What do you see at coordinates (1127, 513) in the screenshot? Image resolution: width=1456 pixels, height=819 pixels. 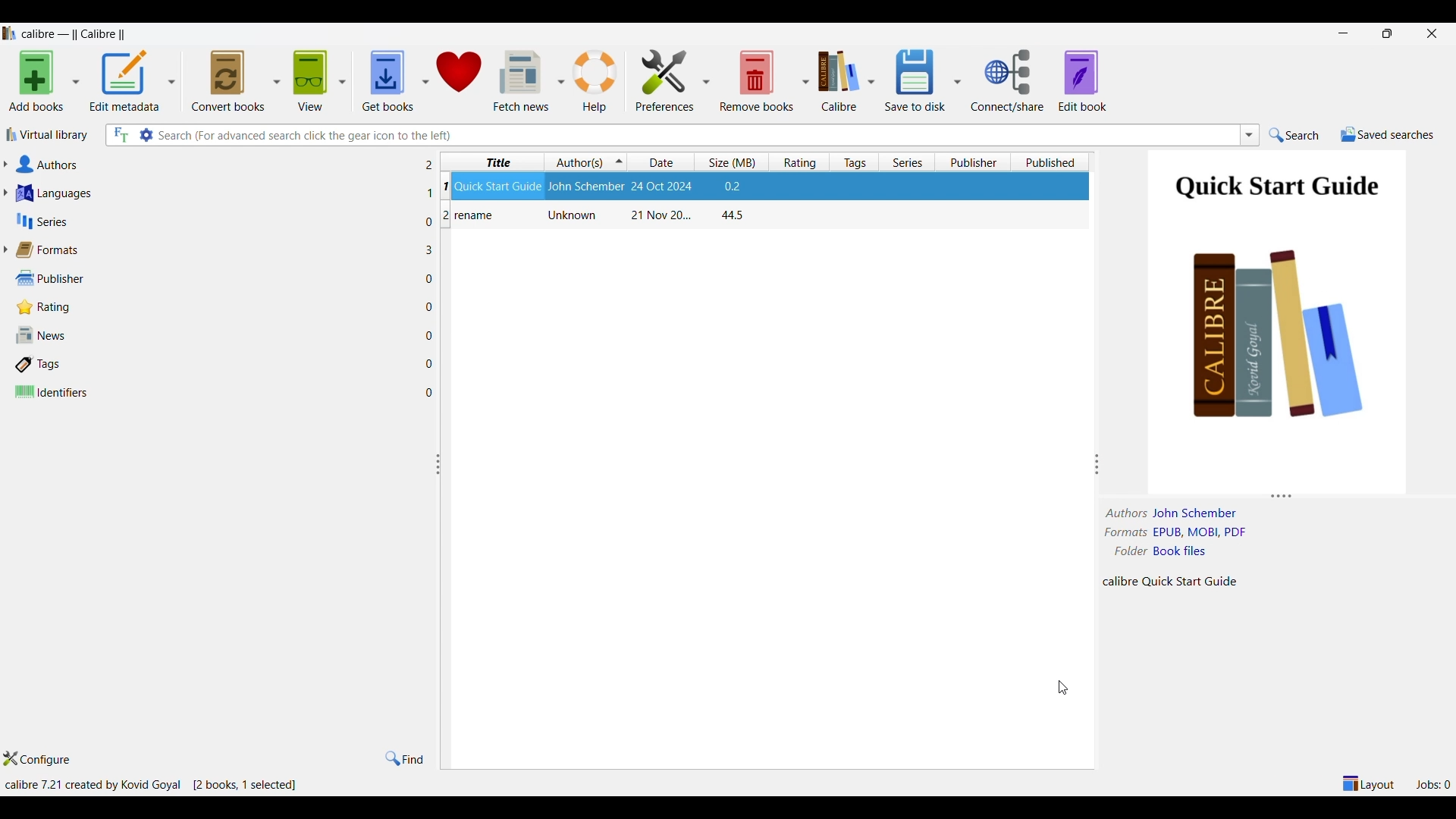 I see `authors` at bounding box center [1127, 513].